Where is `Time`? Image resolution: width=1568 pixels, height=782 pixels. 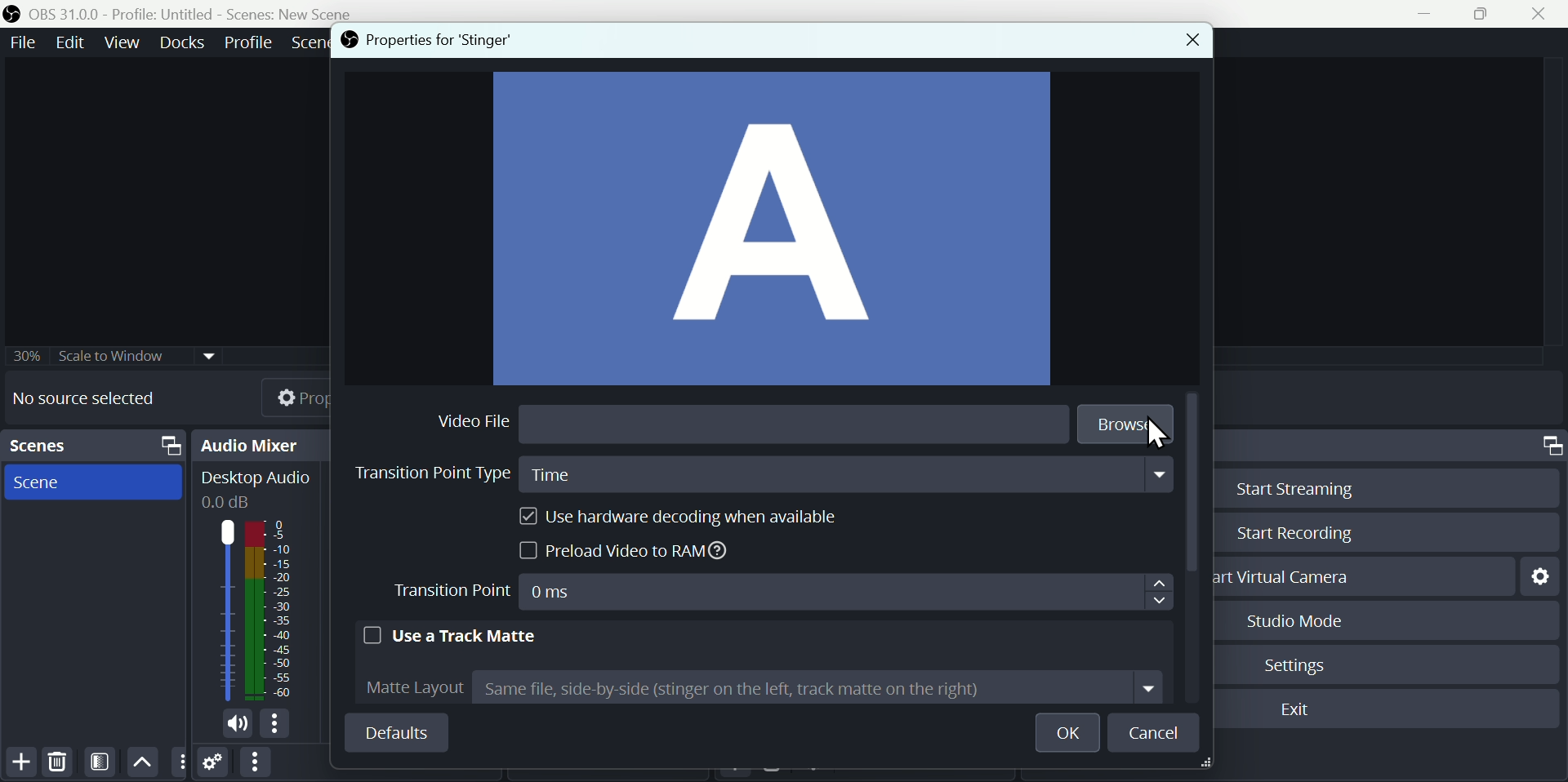
Time is located at coordinates (850, 478).